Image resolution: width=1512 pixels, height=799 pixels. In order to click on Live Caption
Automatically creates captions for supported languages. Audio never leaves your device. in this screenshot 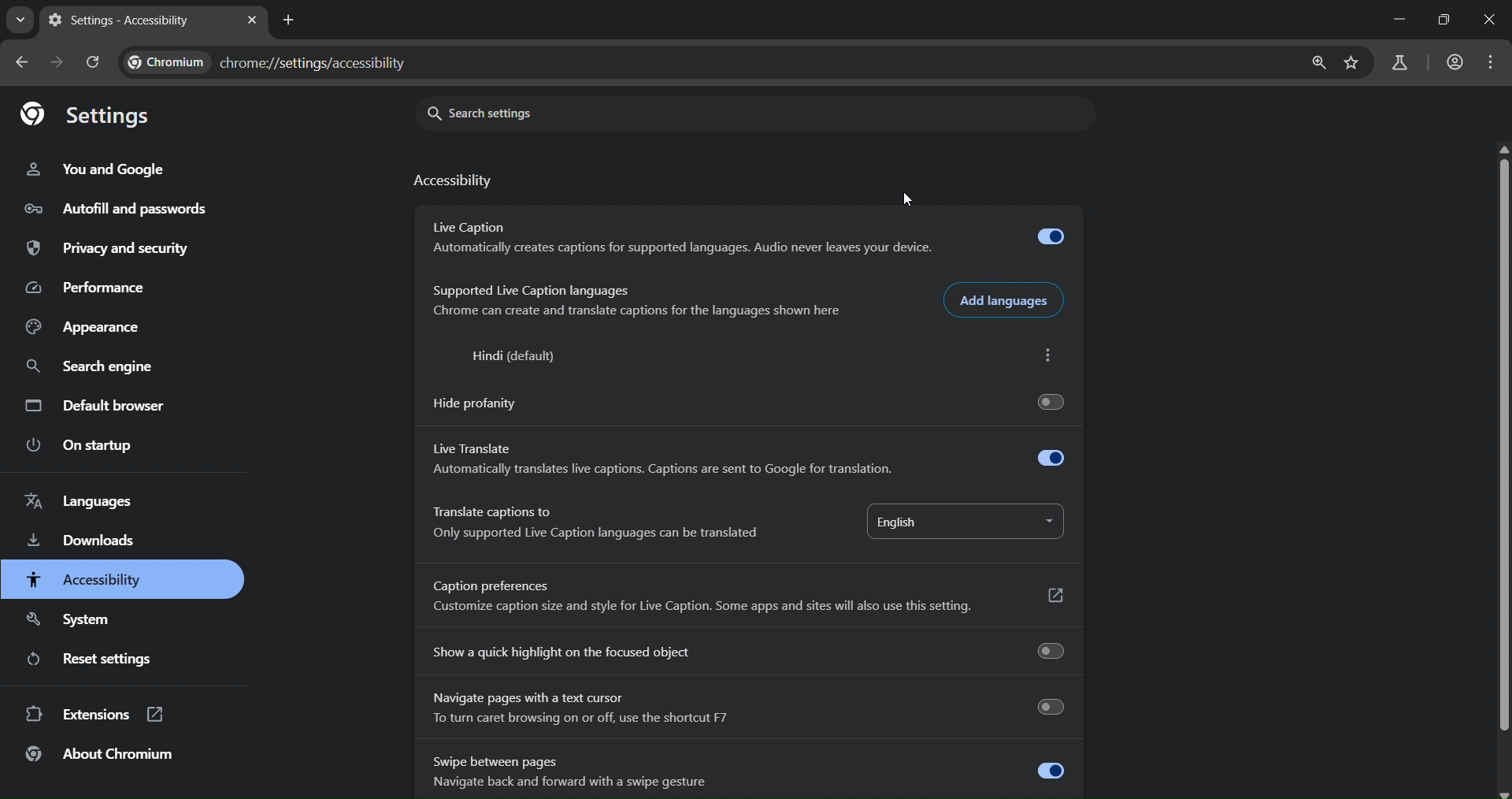, I will do `click(676, 240)`.